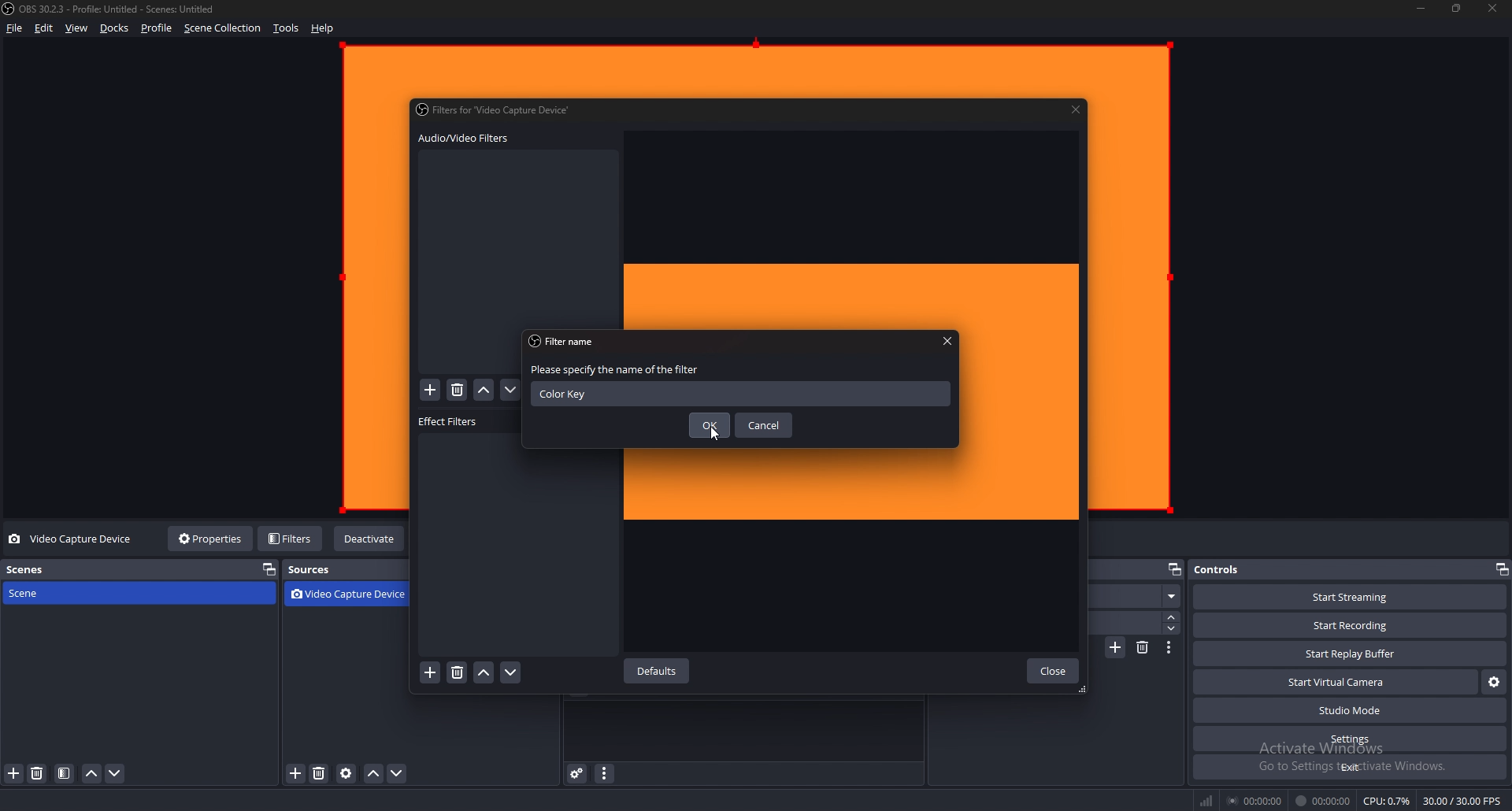 This screenshot has height=811, width=1512. I want to click on scene, so click(73, 593).